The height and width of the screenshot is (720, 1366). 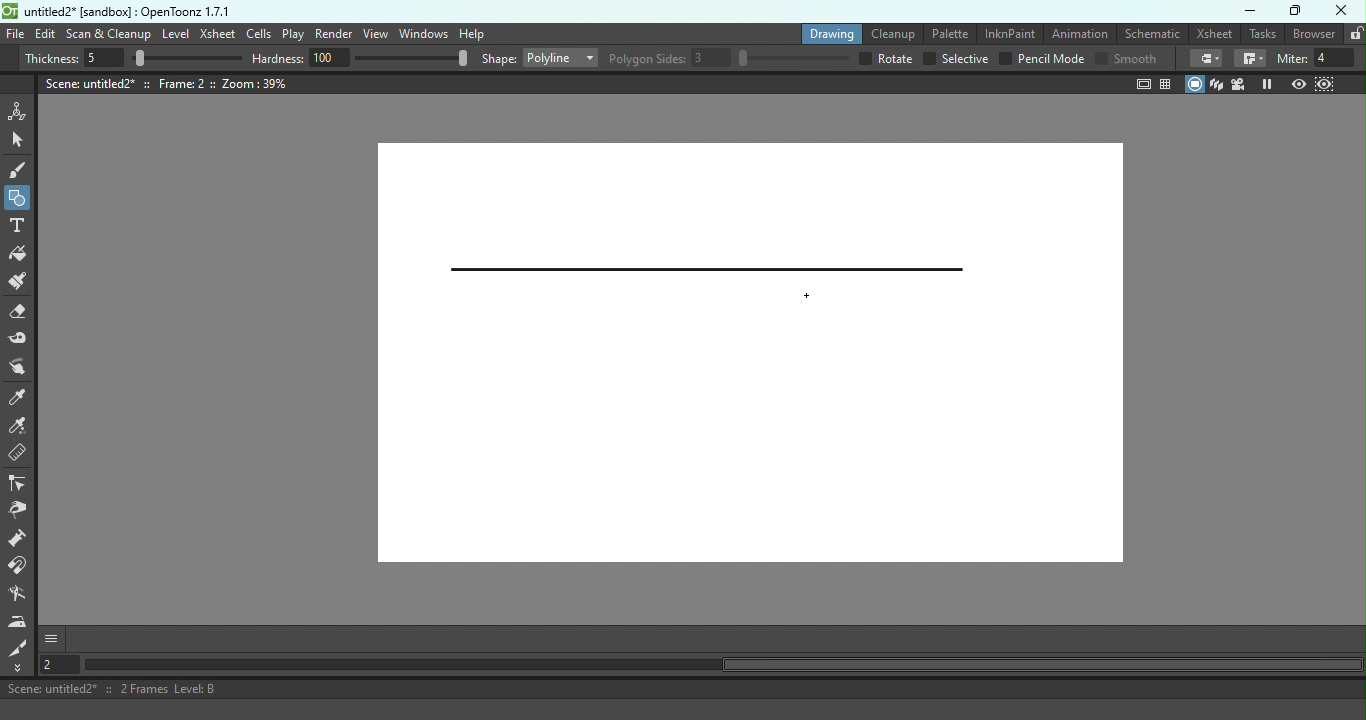 I want to click on Xsheet, so click(x=1214, y=33).